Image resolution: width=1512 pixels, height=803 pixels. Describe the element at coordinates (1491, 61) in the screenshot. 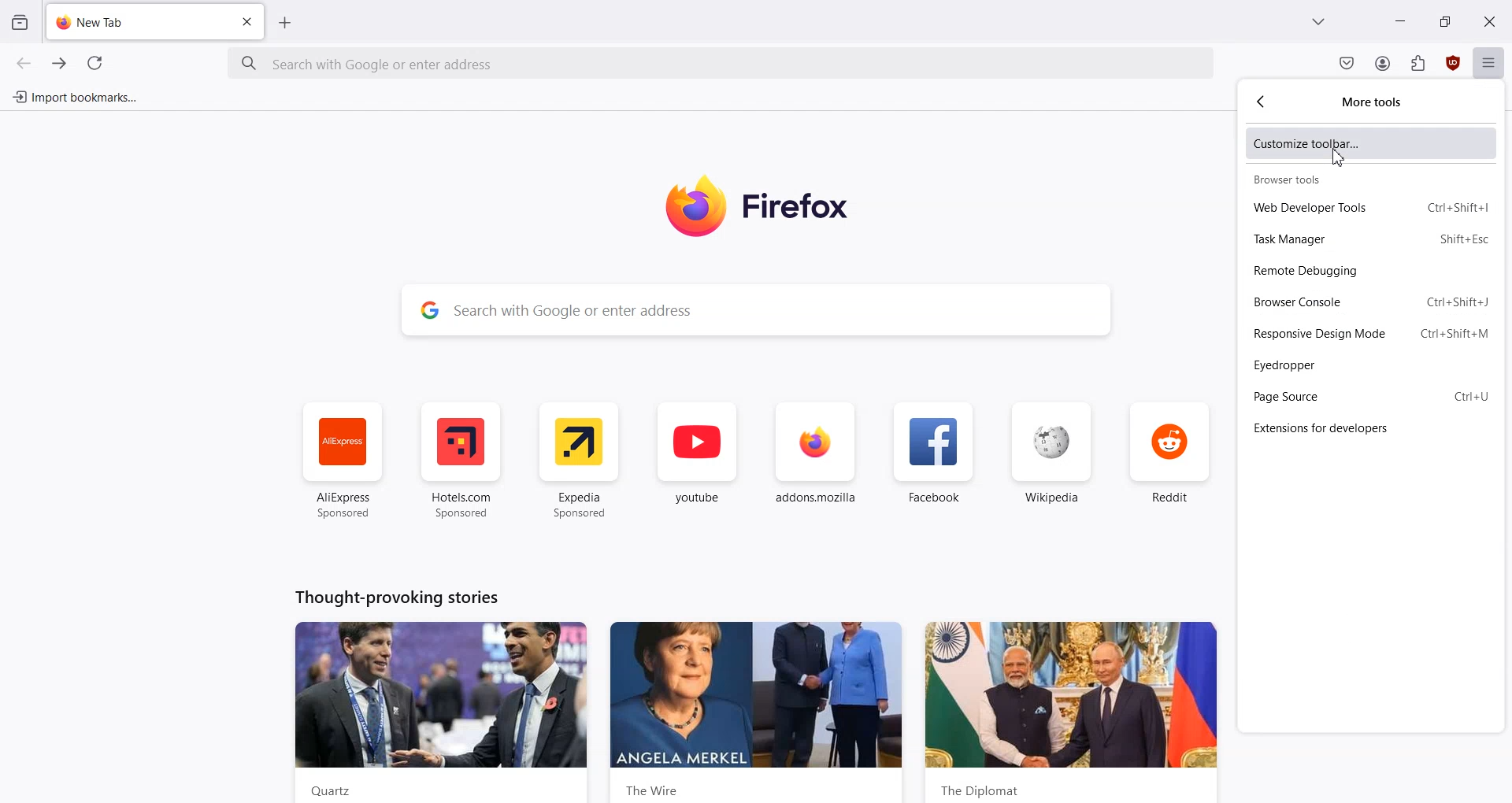

I see `Open Application menu` at that location.